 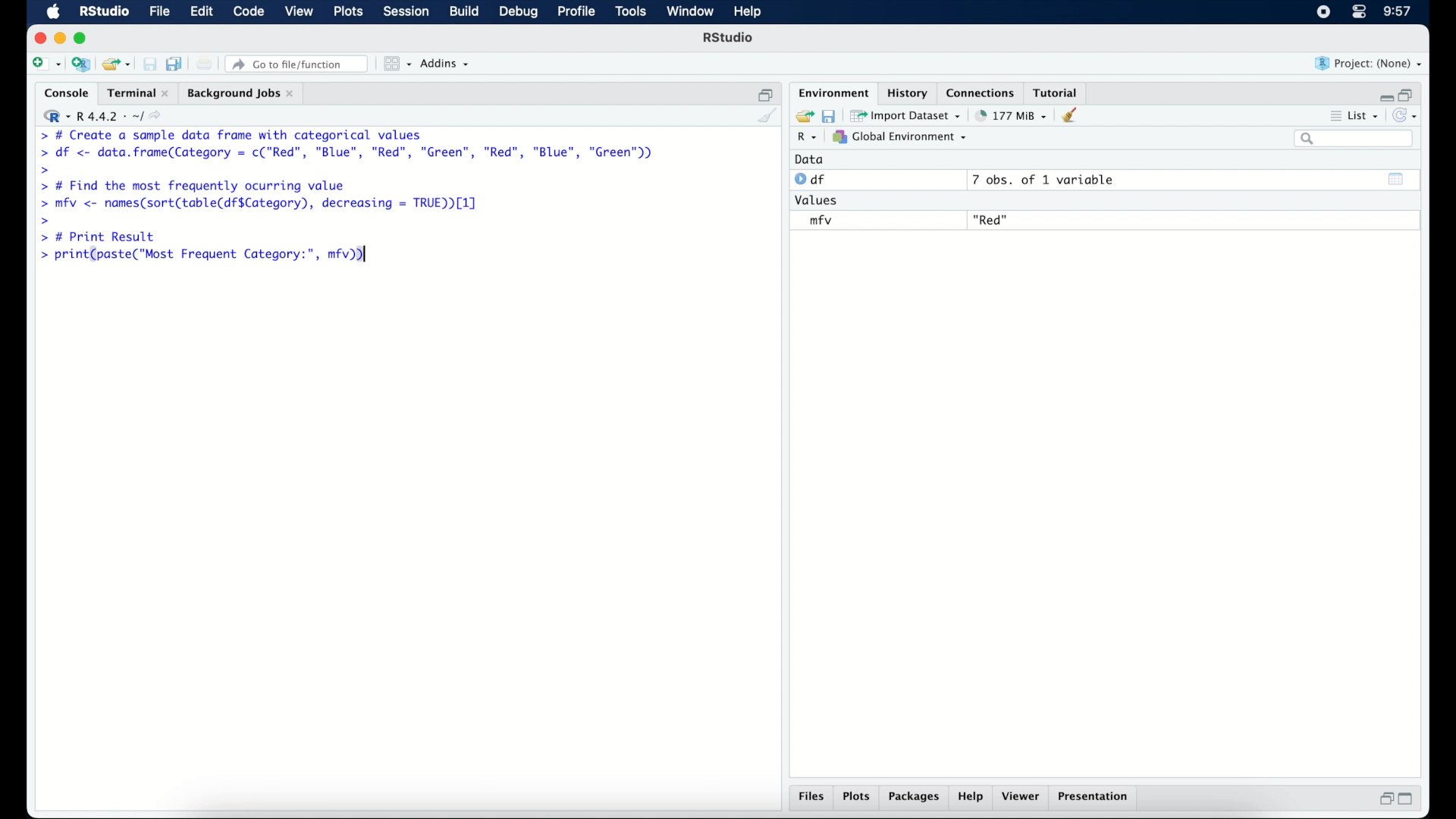 What do you see at coordinates (730, 38) in the screenshot?
I see `R Studio` at bounding box center [730, 38].